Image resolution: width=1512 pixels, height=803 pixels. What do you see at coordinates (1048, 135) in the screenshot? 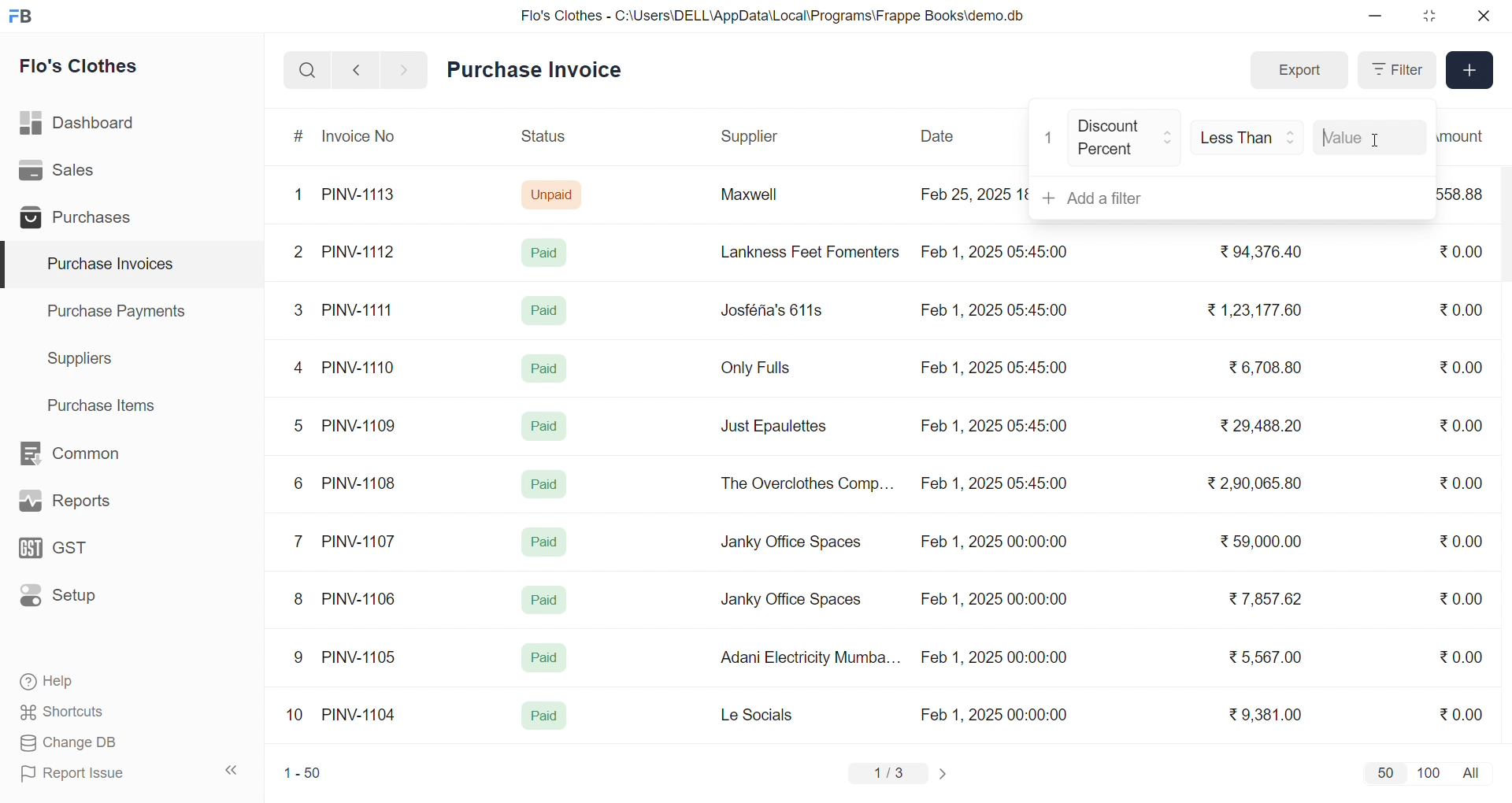
I see `1` at bounding box center [1048, 135].